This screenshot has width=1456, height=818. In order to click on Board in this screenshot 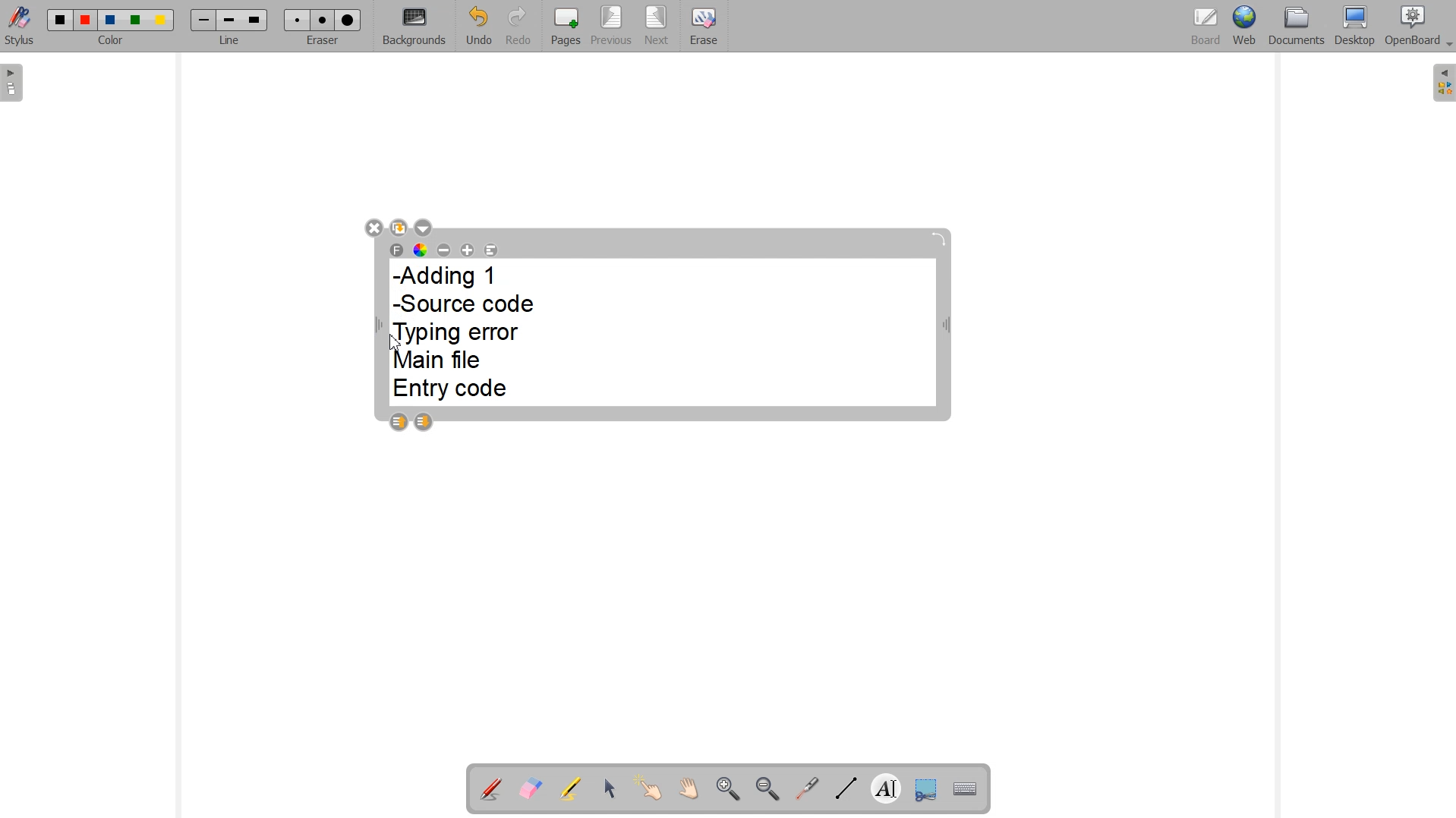, I will do `click(1206, 27)`.